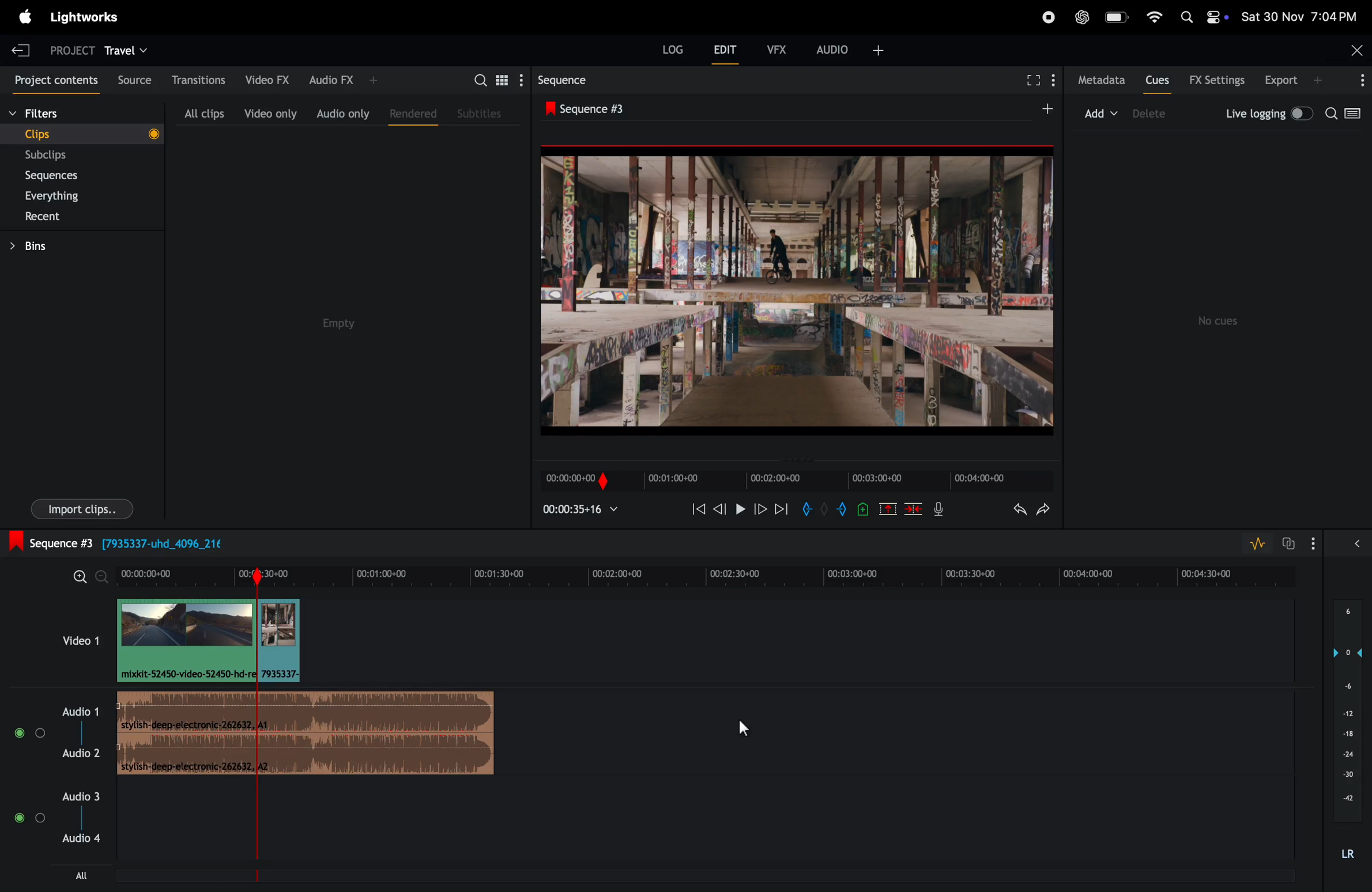  What do you see at coordinates (760, 511) in the screenshot?
I see `forward` at bounding box center [760, 511].